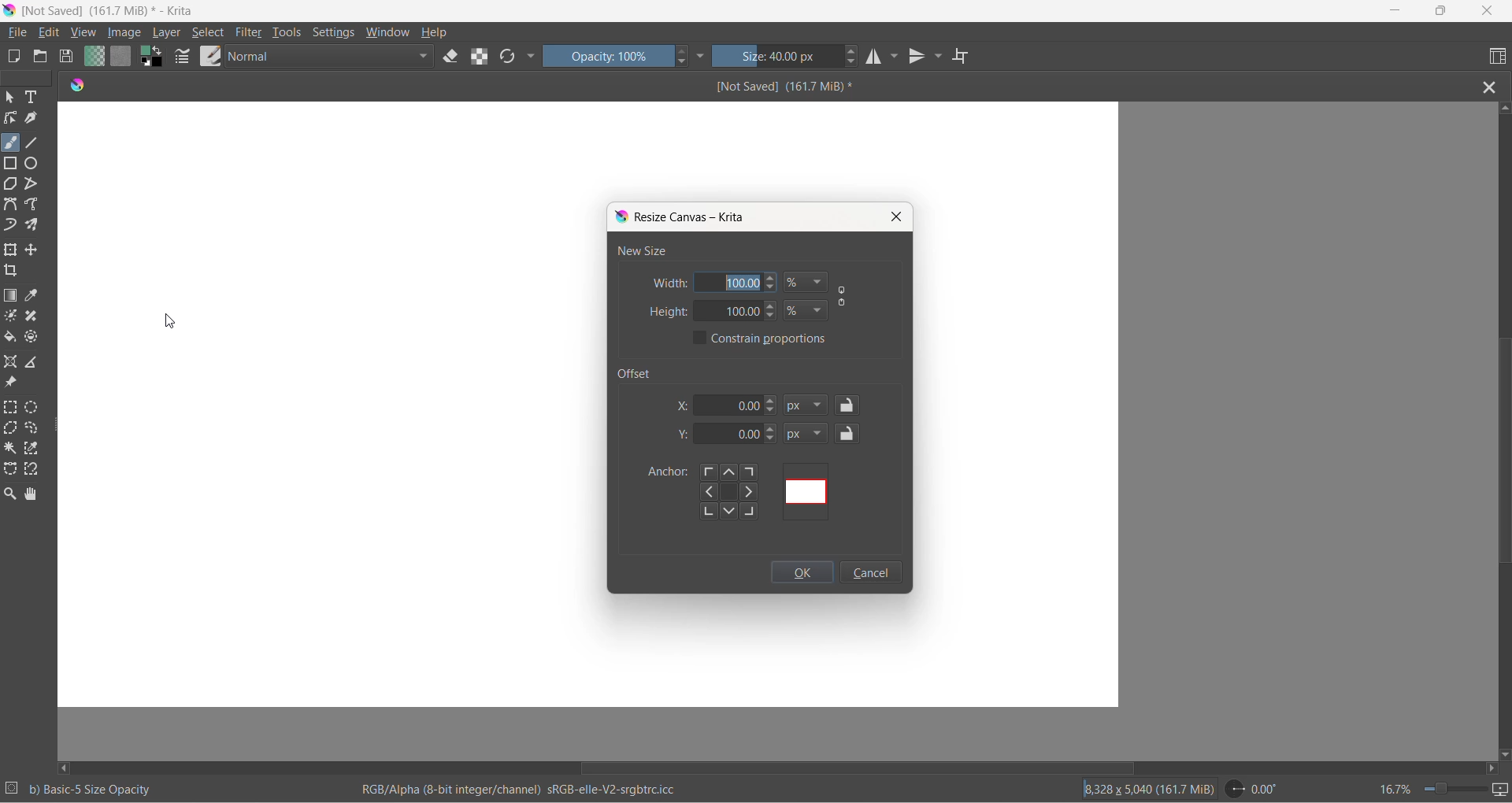 The width and height of the screenshot is (1512, 803). Describe the element at coordinates (967, 57) in the screenshot. I see `wrap around mode` at that location.